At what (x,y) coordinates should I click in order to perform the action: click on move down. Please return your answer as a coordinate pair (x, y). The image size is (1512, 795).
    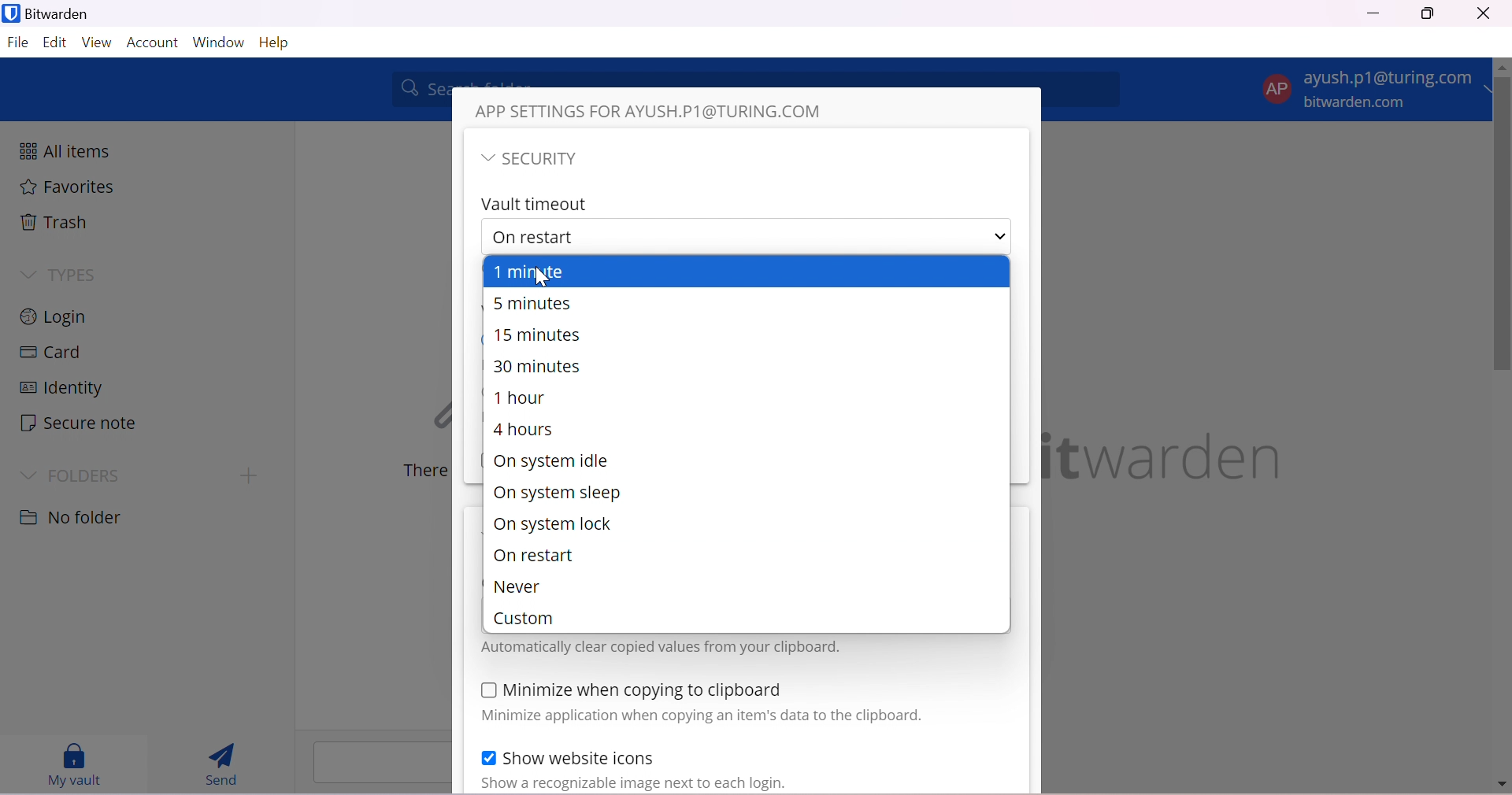
    Looking at the image, I should click on (1501, 786).